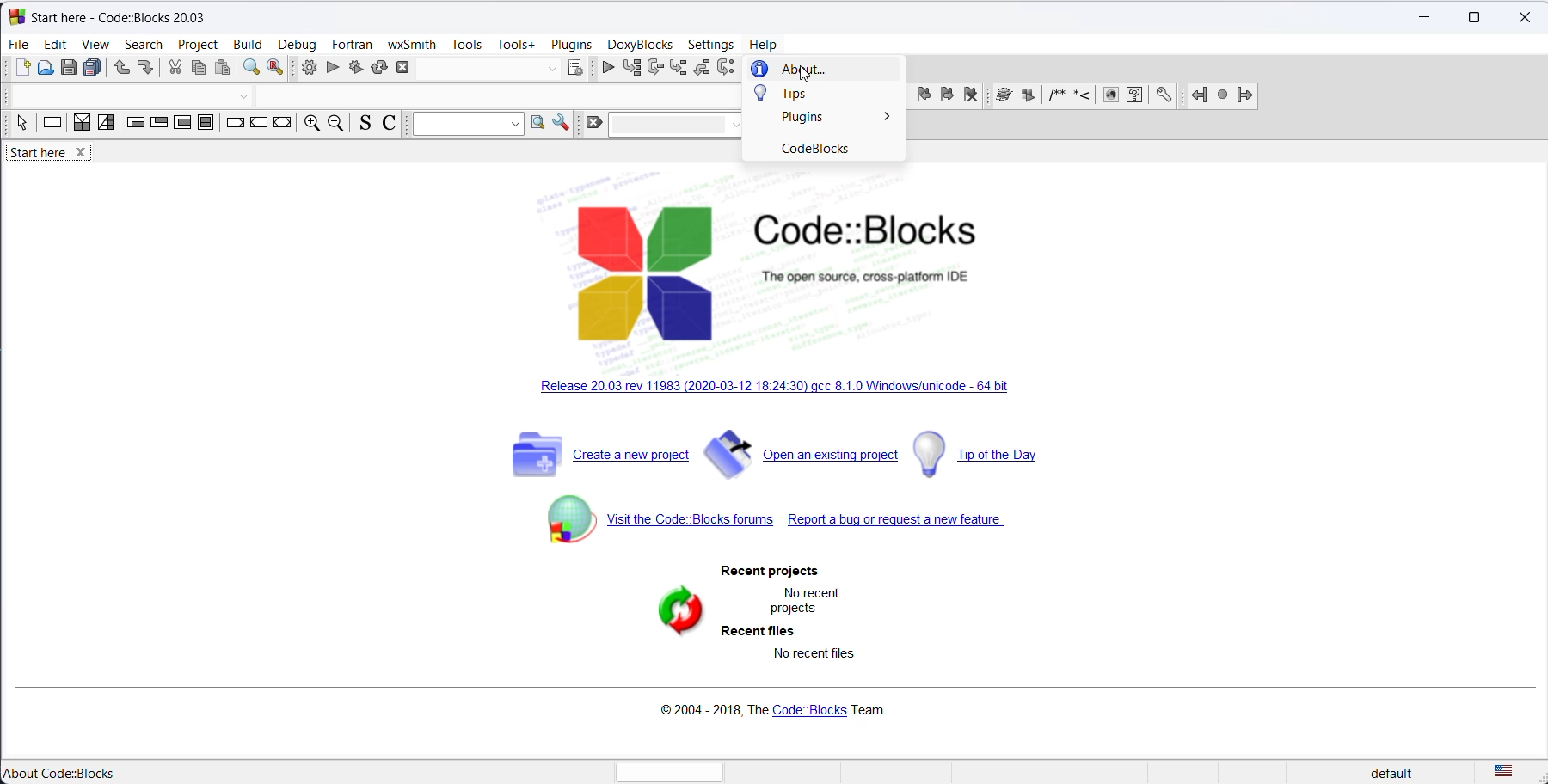 This screenshot has height=784, width=1548. Describe the element at coordinates (675, 125) in the screenshot. I see `search box` at that location.